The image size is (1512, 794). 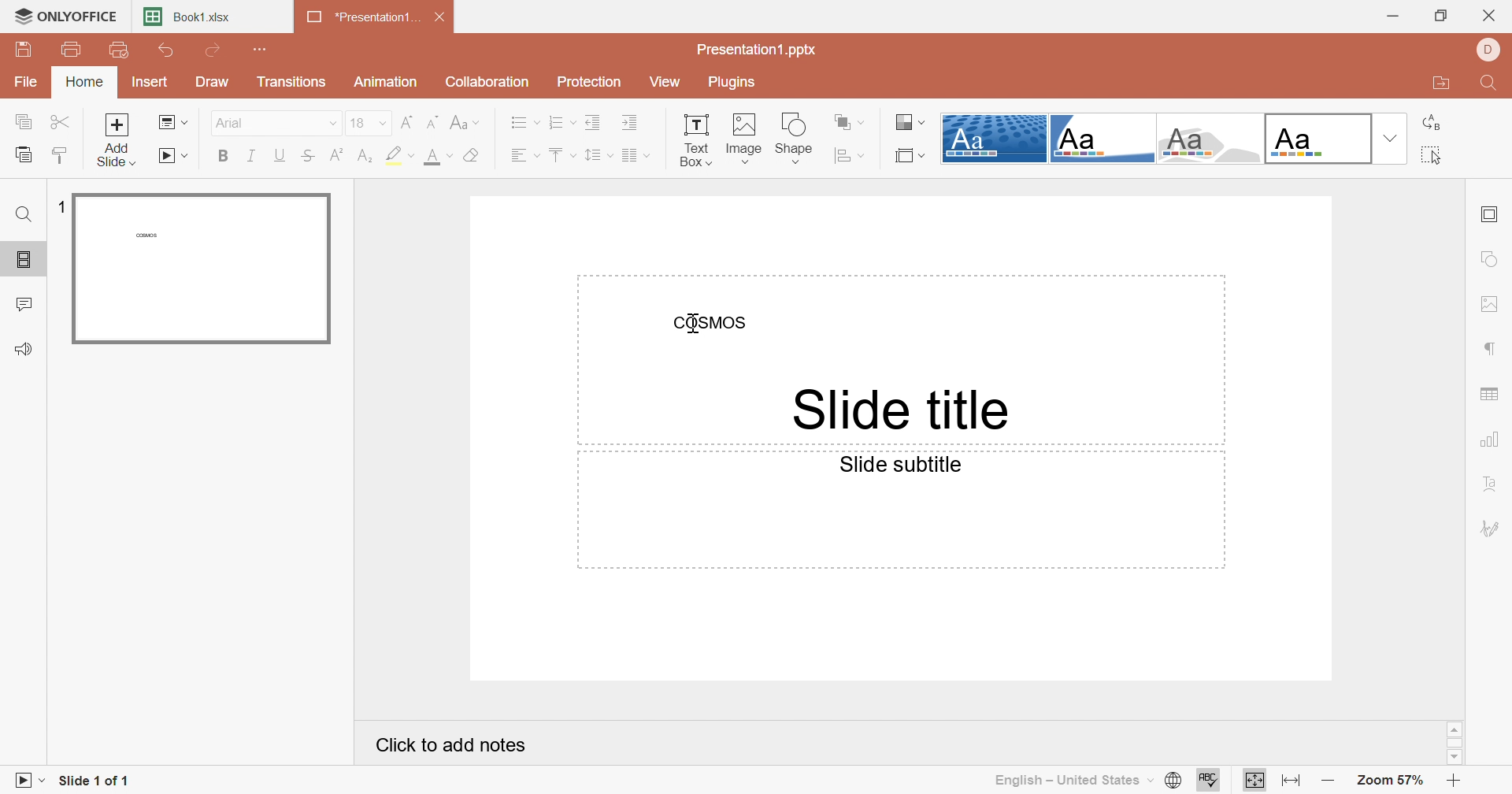 I want to click on Change case, so click(x=463, y=123).